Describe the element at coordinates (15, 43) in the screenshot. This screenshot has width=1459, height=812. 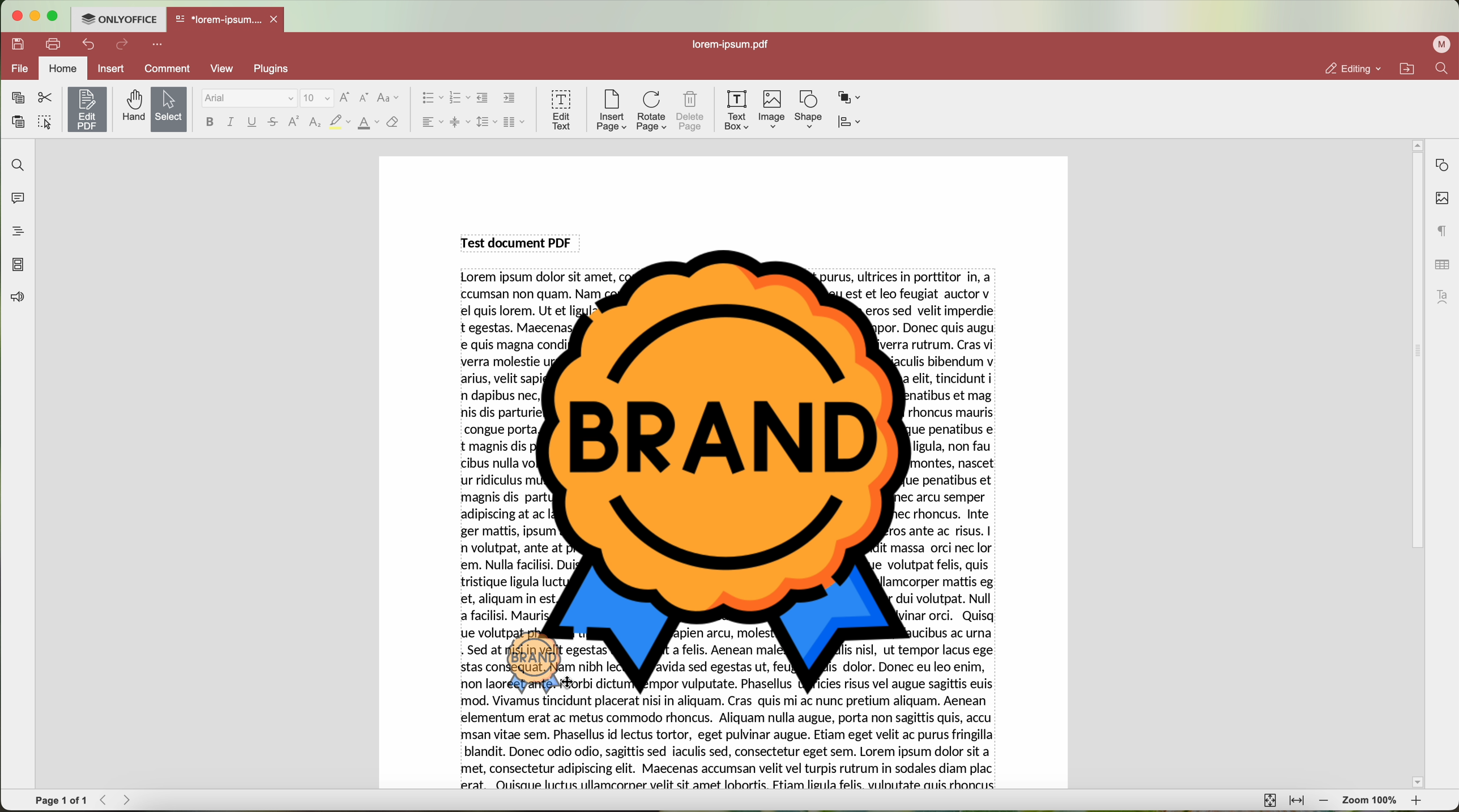
I see `save` at that location.